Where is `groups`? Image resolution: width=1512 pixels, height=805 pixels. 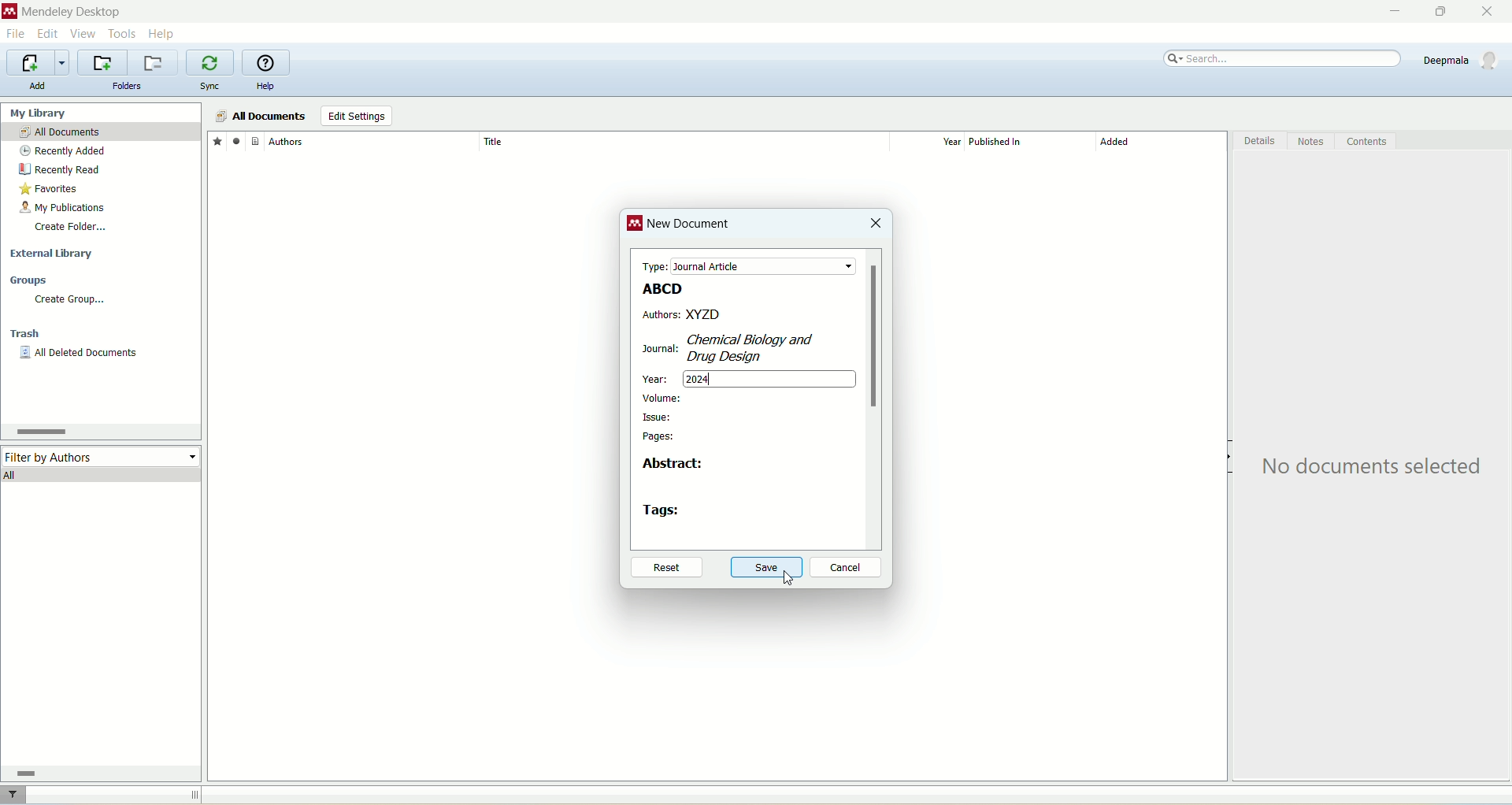 groups is located at coordinates (30, 281).